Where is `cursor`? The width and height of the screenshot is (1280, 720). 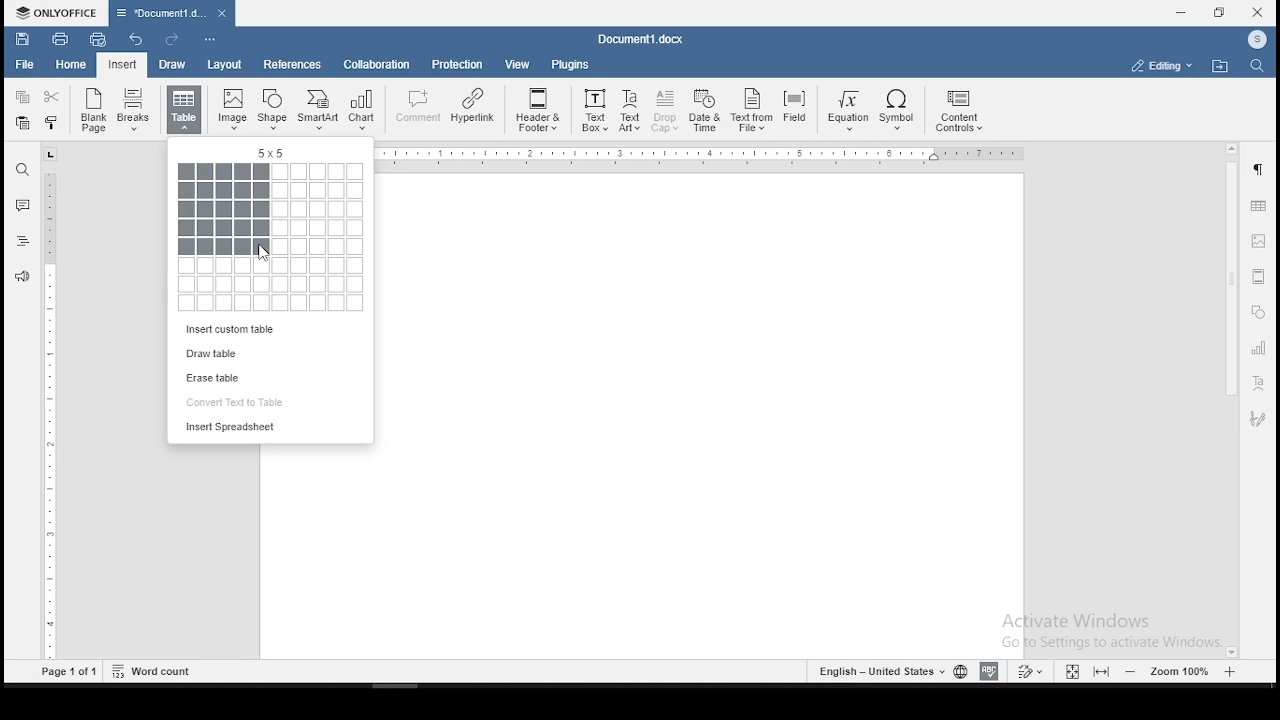
cursor is located at coordinates (263, 254).